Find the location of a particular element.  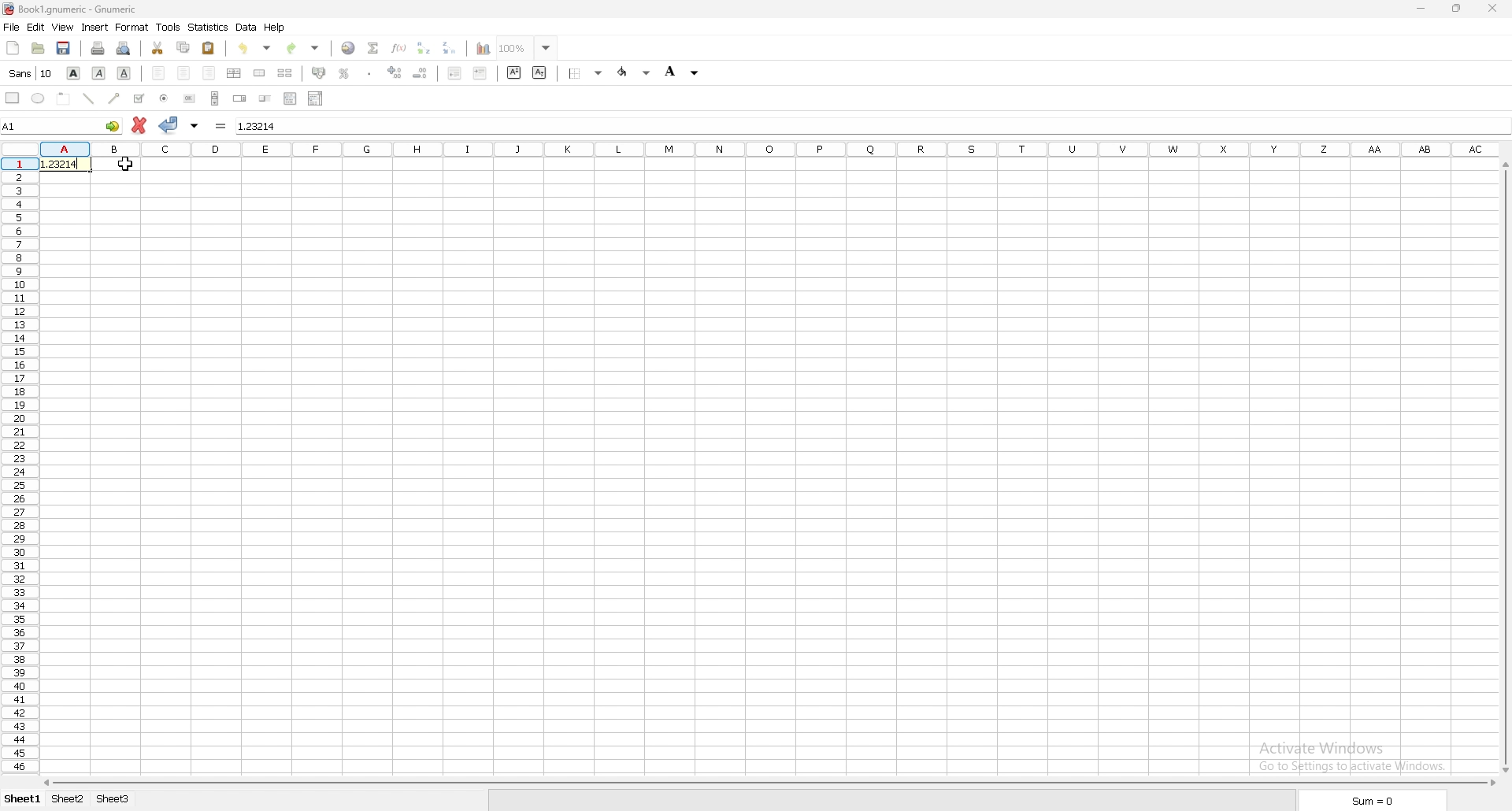

right align is located at coordinates (209, 73).